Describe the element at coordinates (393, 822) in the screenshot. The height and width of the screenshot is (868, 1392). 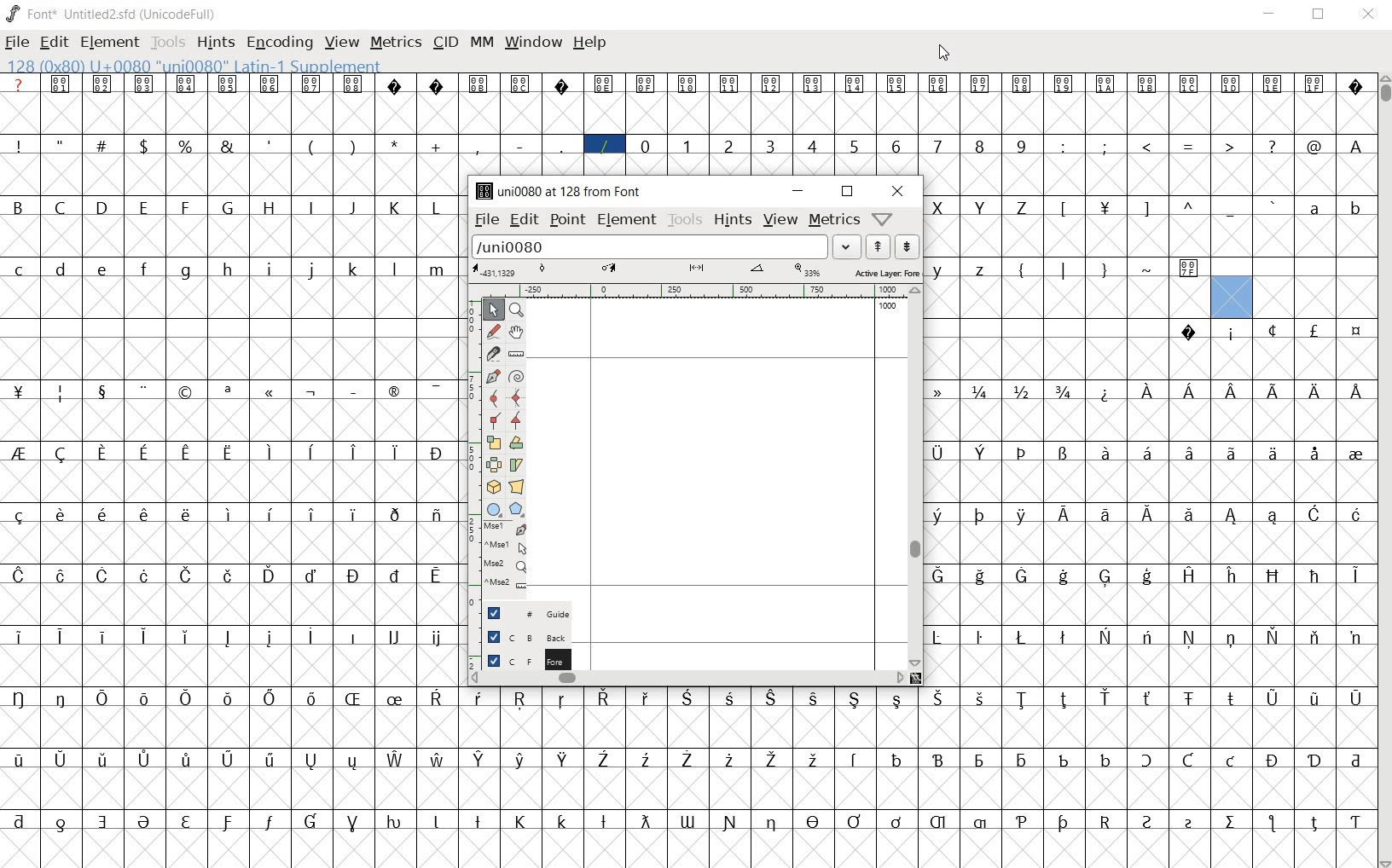
I see `glyph` at that location.